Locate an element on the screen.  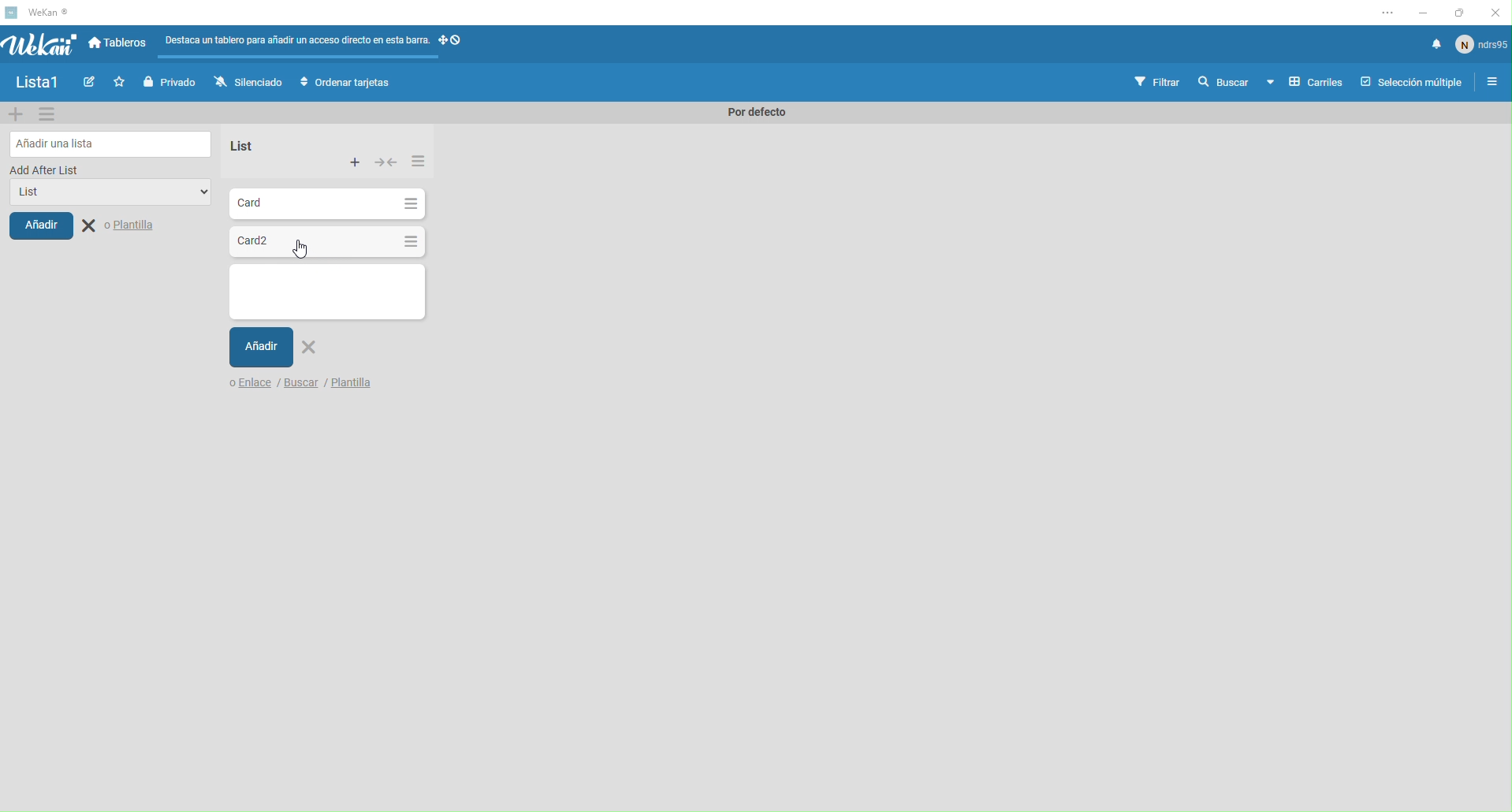
tableros is located at coordinates (121, 44).